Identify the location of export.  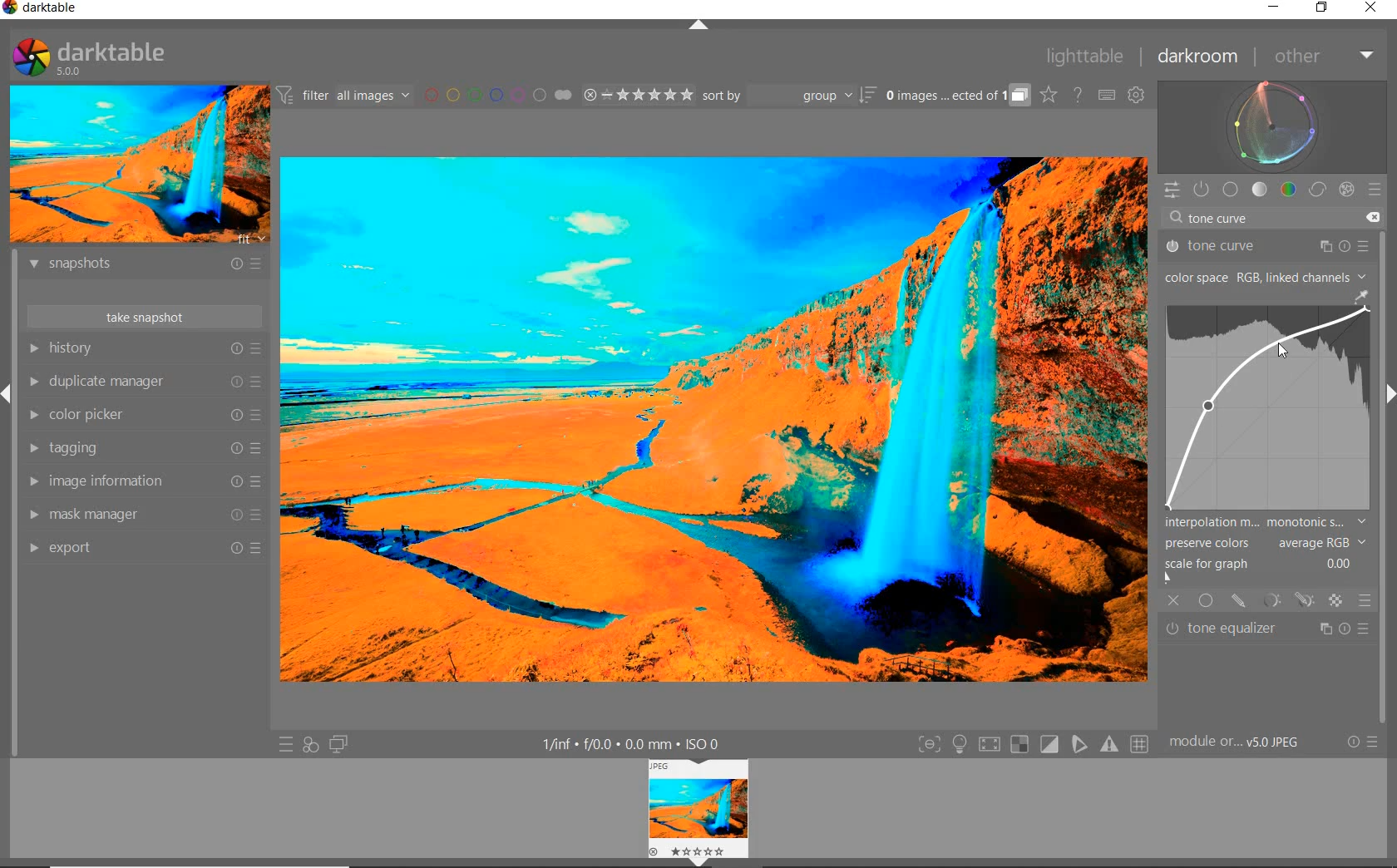
(146, 550).